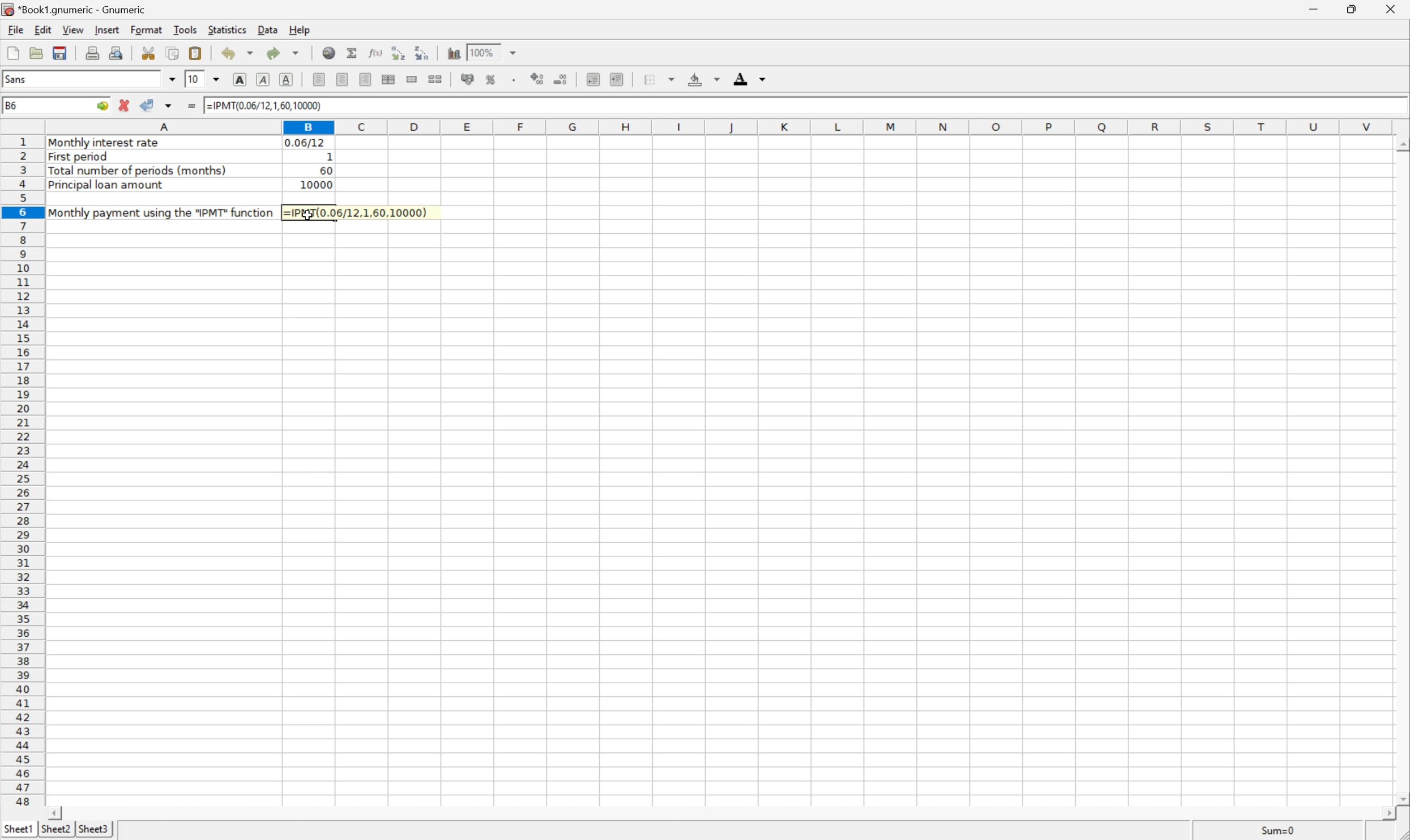  What do you see at coordinates (218, 79) in the screenshot?
I see `Drop Down` at bounding box center [218, 79].